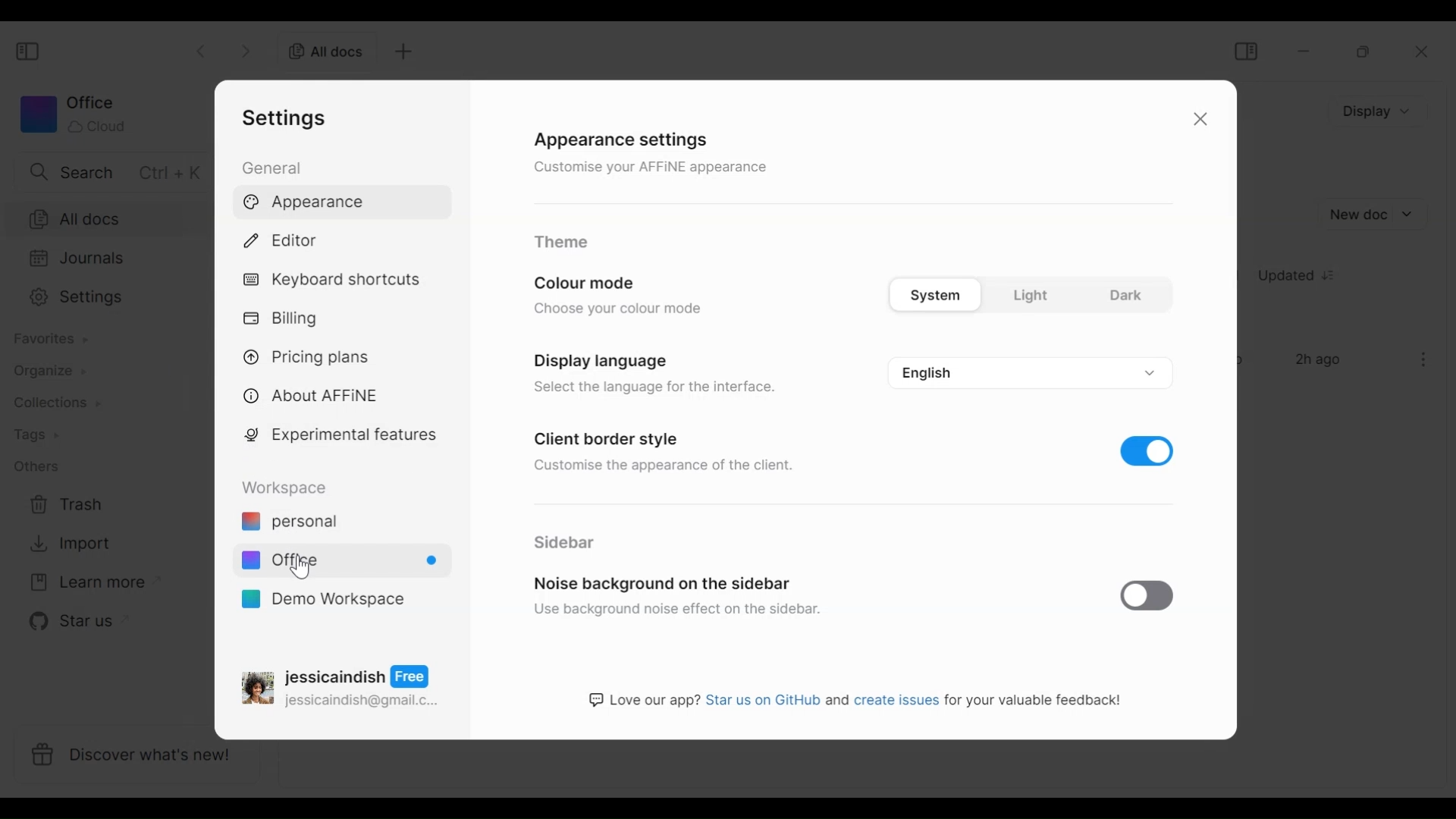 The width and height of the screenshot is (1456, 819). What do you see at coordinates (72, 114) in the screenshot?
I see `Workspace icon` at bounding box center [72, 114].